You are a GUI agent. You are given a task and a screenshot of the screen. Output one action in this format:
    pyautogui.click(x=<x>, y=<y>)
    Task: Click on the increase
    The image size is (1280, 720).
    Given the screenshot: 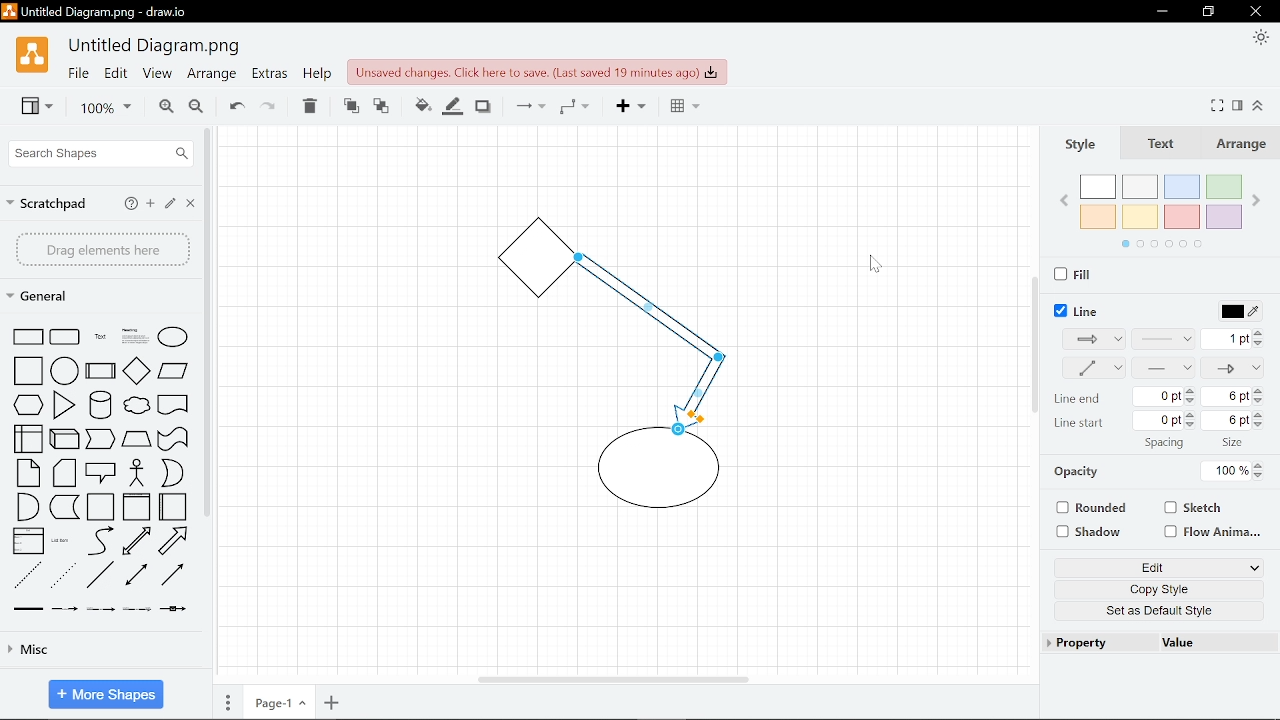 What is the action you would take?
    pyautogui.click(x=1190, y=417)
    